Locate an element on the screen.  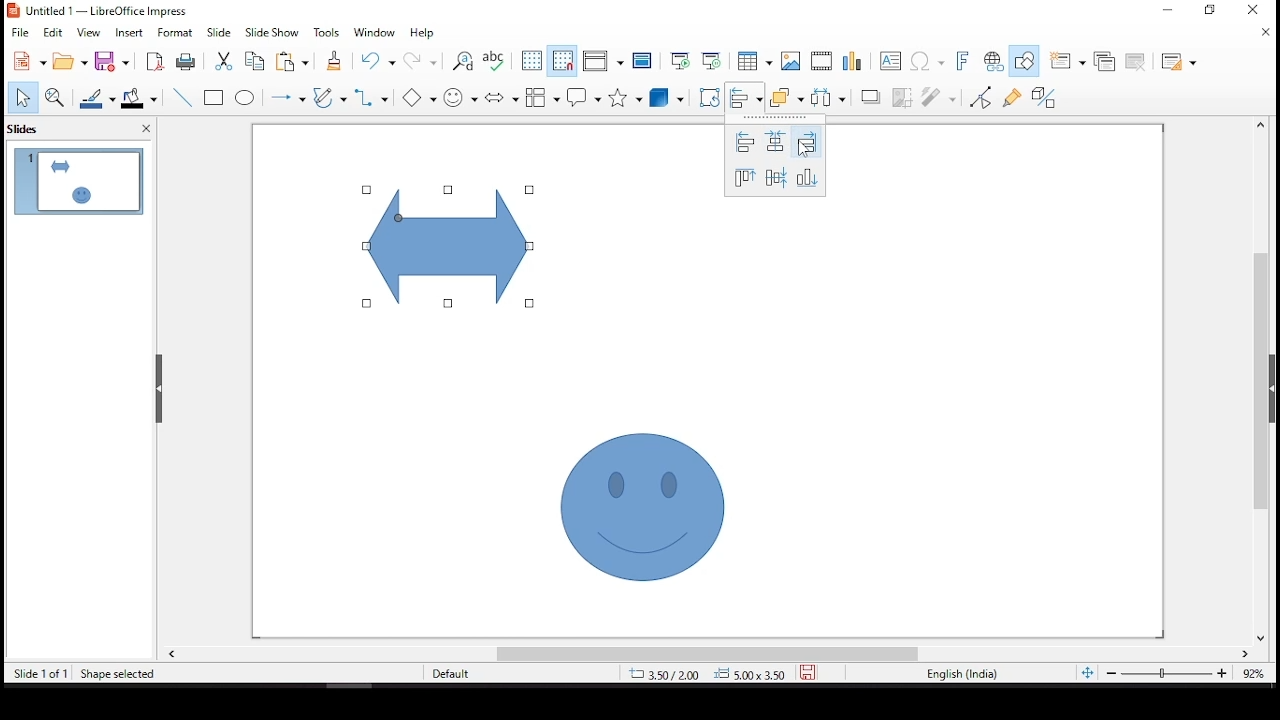
view is located at coordinates (91, 34).